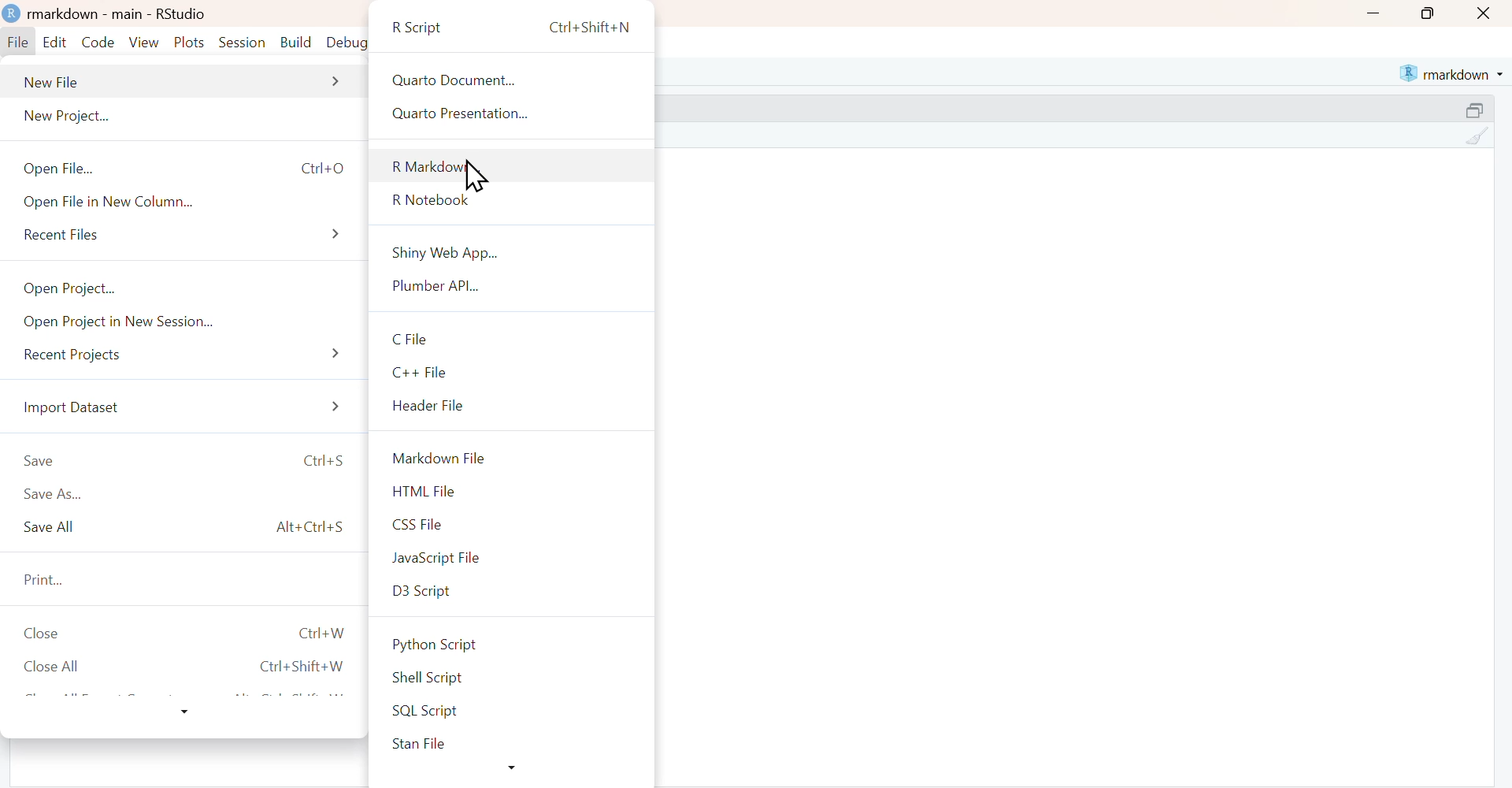 This screenshot has width=1512, height=788. Describe the element at coordinates (510, 489) in the screenshot. I see `HTML File` at that location.